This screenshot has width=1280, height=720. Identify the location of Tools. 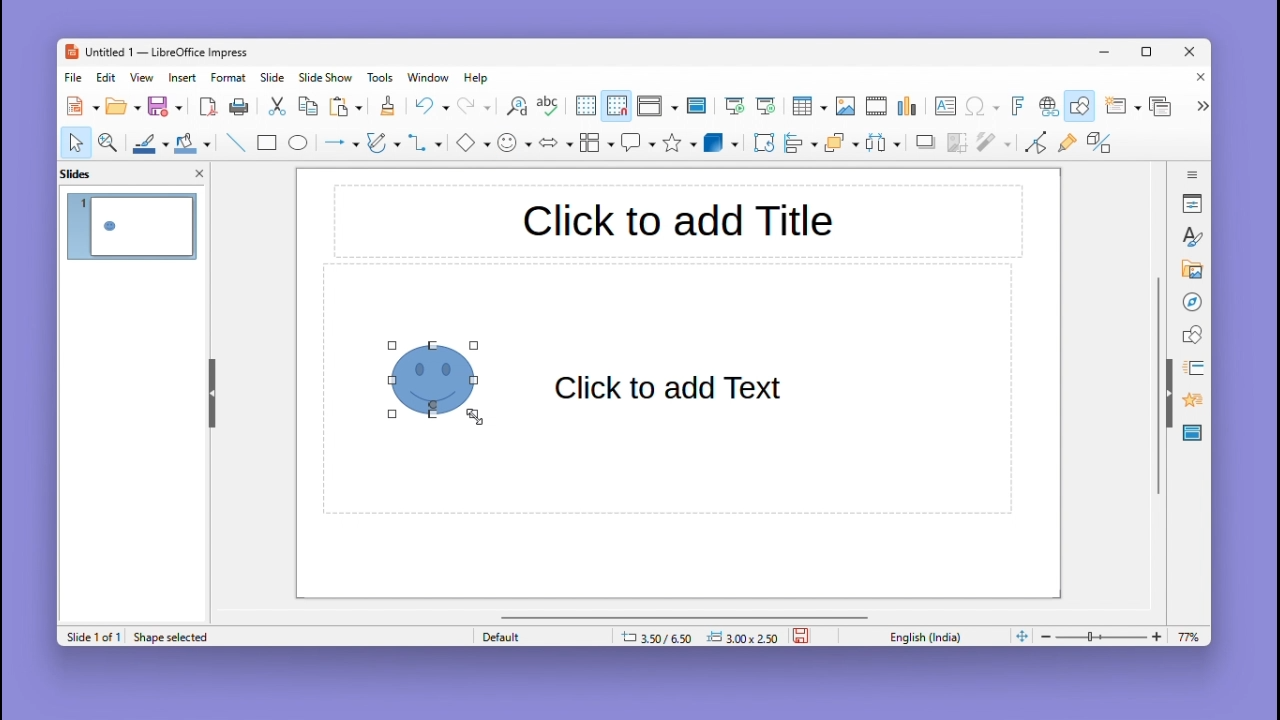
(383, 77).